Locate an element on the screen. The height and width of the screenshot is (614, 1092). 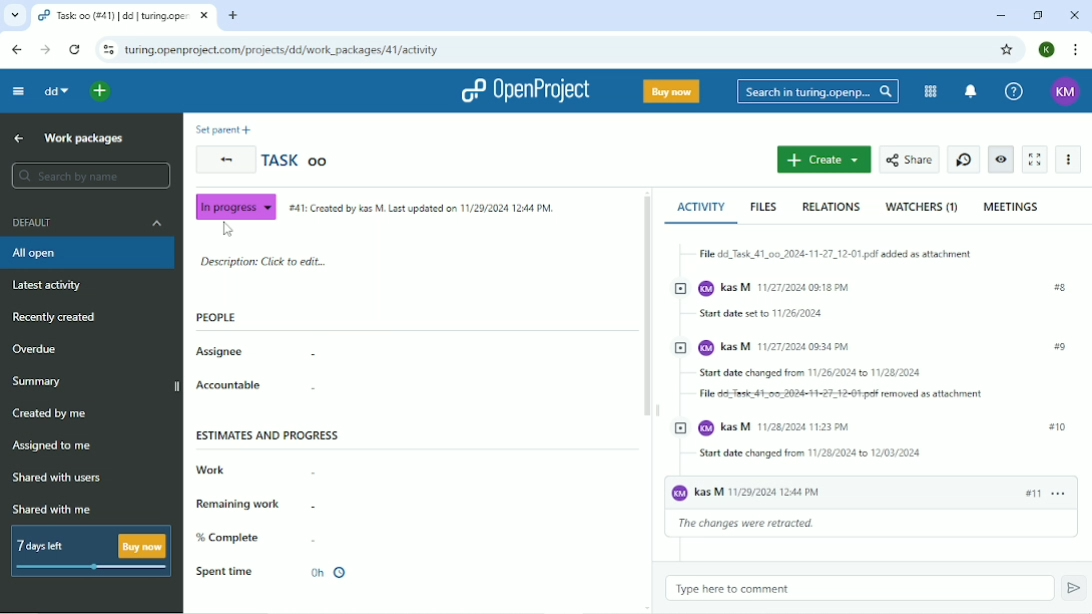
Work is located at coordinates (215, 471).